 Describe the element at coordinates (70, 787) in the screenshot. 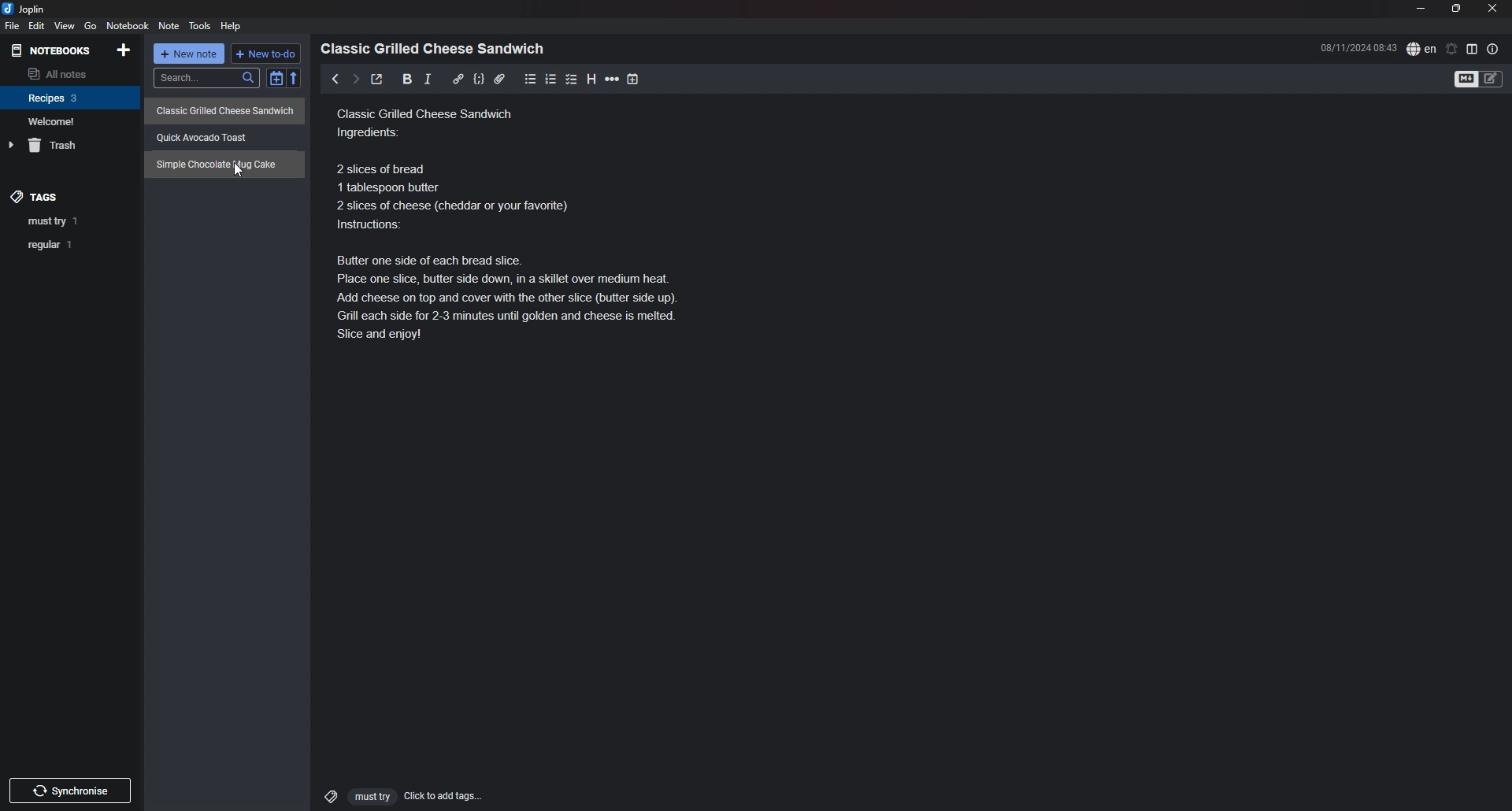

I see `` at that location.